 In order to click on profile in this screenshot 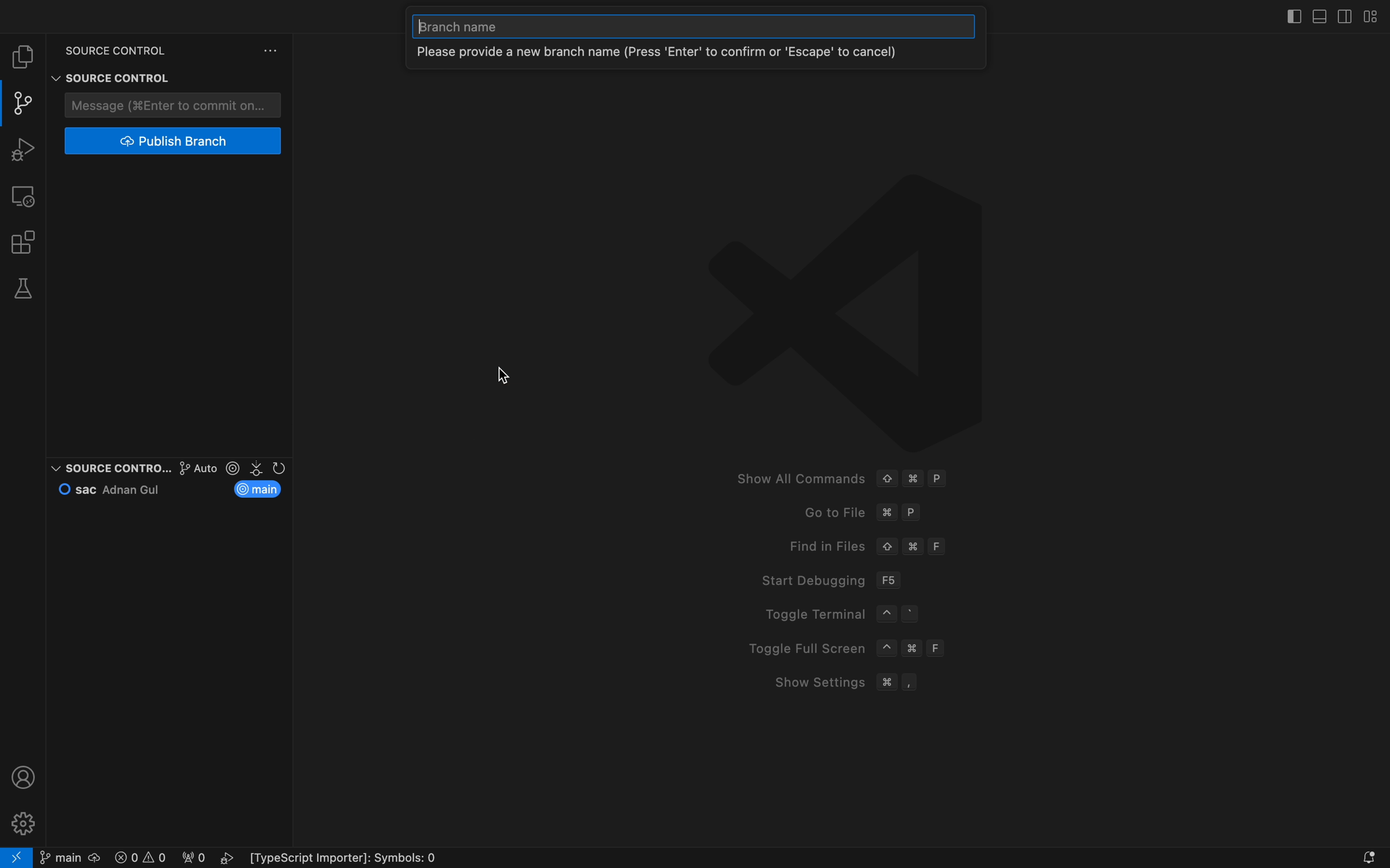, I will do `click(25, 777)`.